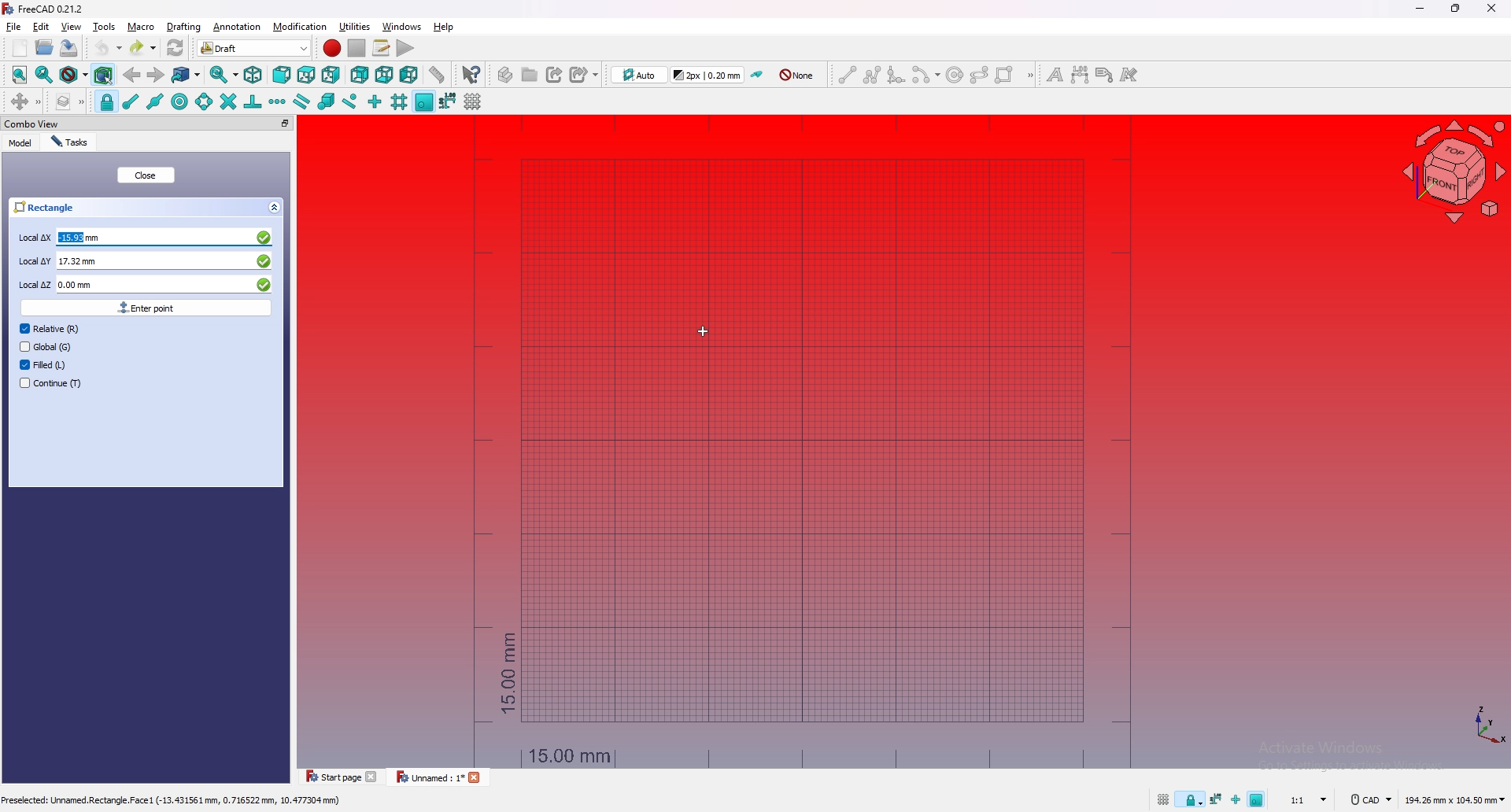 This screenshot has height=812, width=1511. I want to click on right, so click(331, 76).